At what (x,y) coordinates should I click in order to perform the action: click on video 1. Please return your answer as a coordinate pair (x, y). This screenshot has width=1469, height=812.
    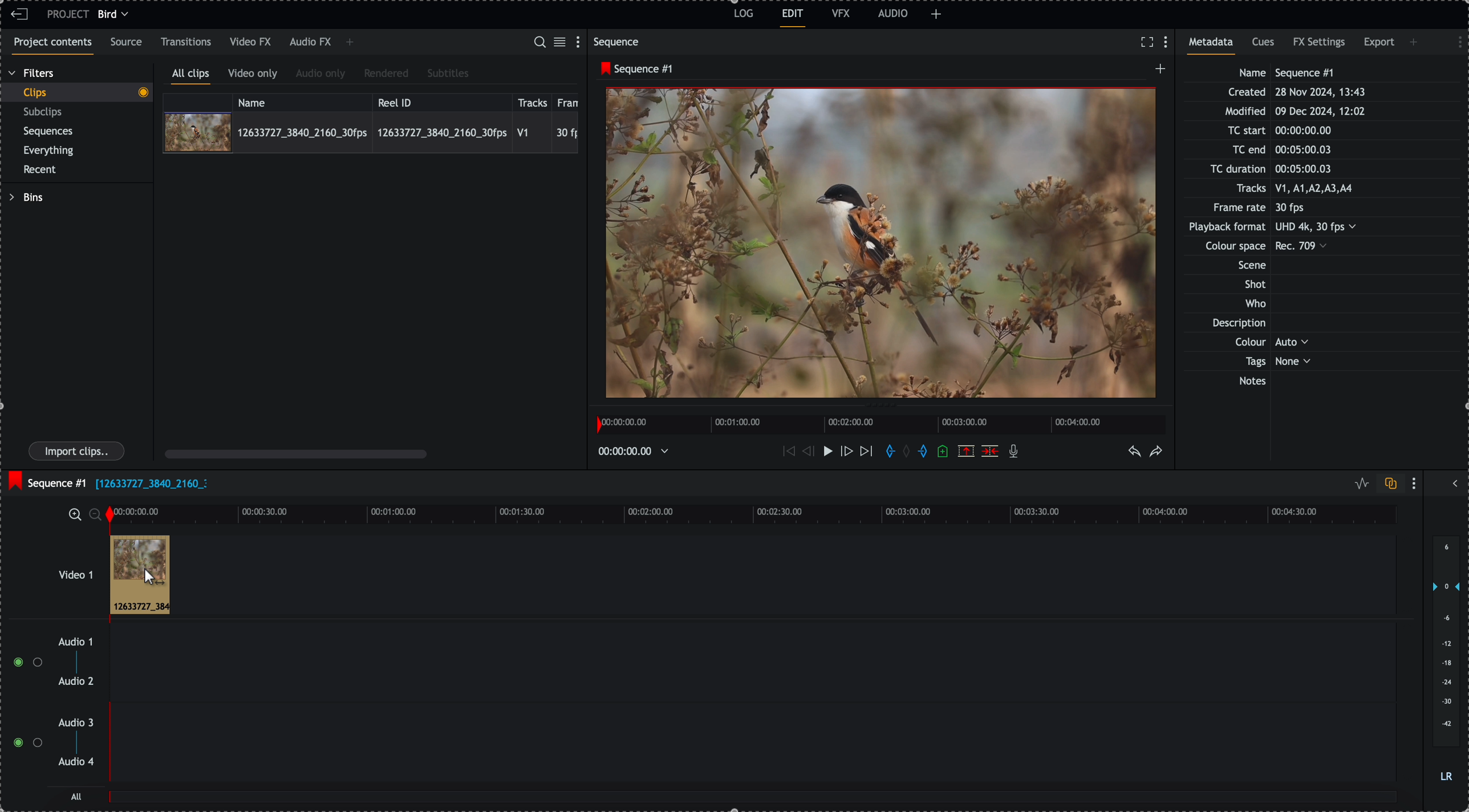
    Looking at the image, I should click on (60, 569).